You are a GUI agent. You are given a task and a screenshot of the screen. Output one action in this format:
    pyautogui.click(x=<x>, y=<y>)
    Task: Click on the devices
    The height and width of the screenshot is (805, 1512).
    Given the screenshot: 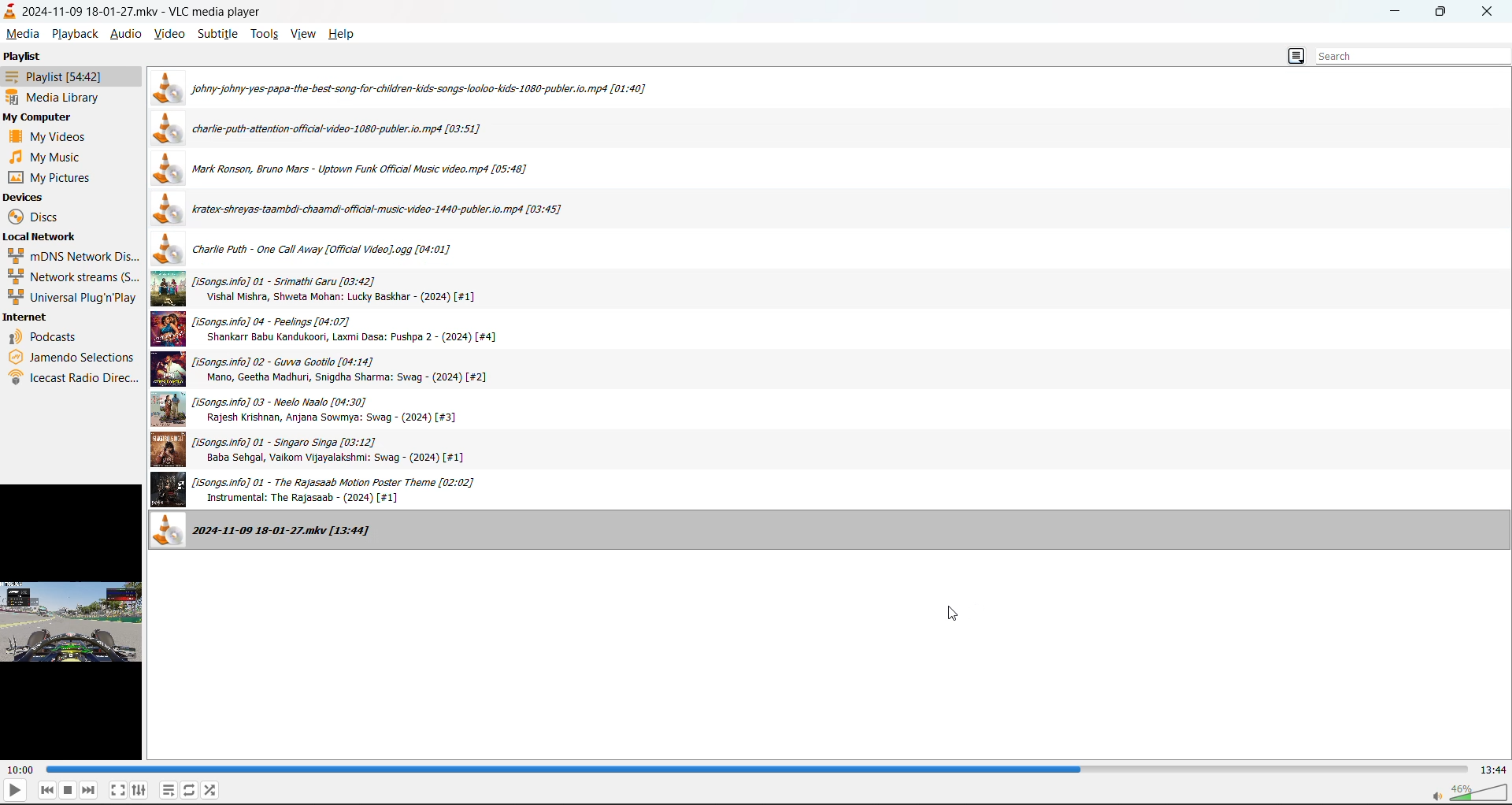 What is the action you would take?
    pyautogui.click(x=28, y=197)
    